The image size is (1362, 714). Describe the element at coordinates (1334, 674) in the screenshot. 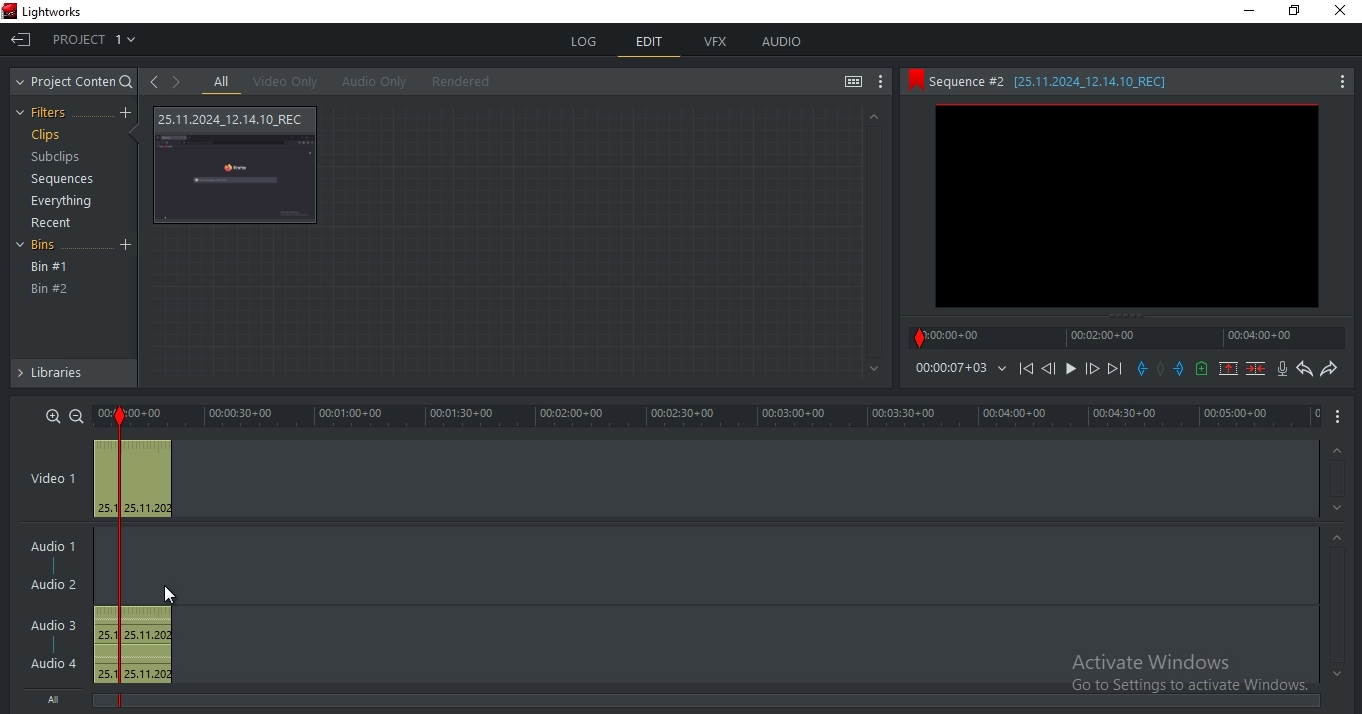

I see `Bottom` at that location.